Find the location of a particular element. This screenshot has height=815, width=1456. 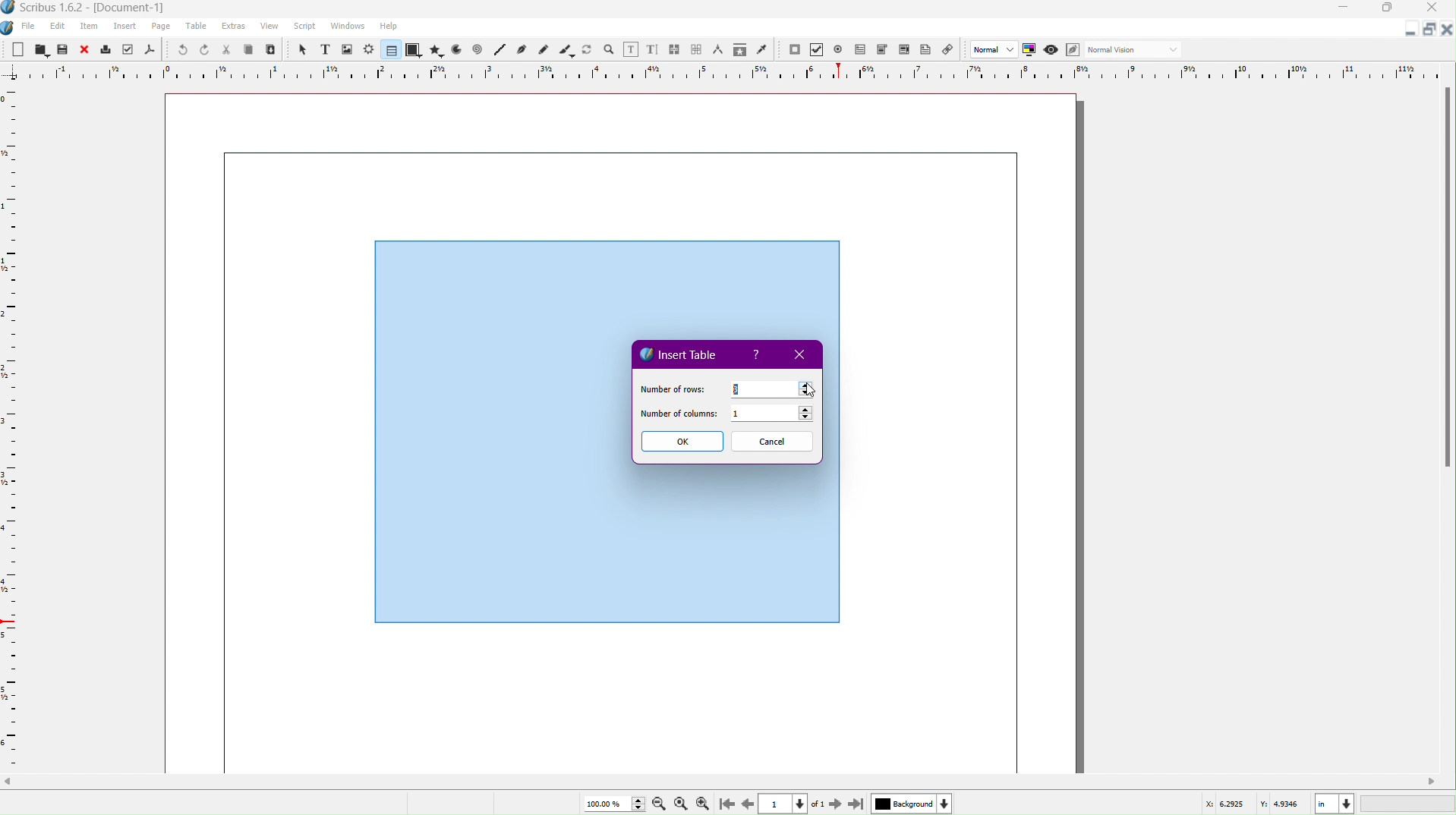

Go to Previous Page is located at coordinates (747, 801).